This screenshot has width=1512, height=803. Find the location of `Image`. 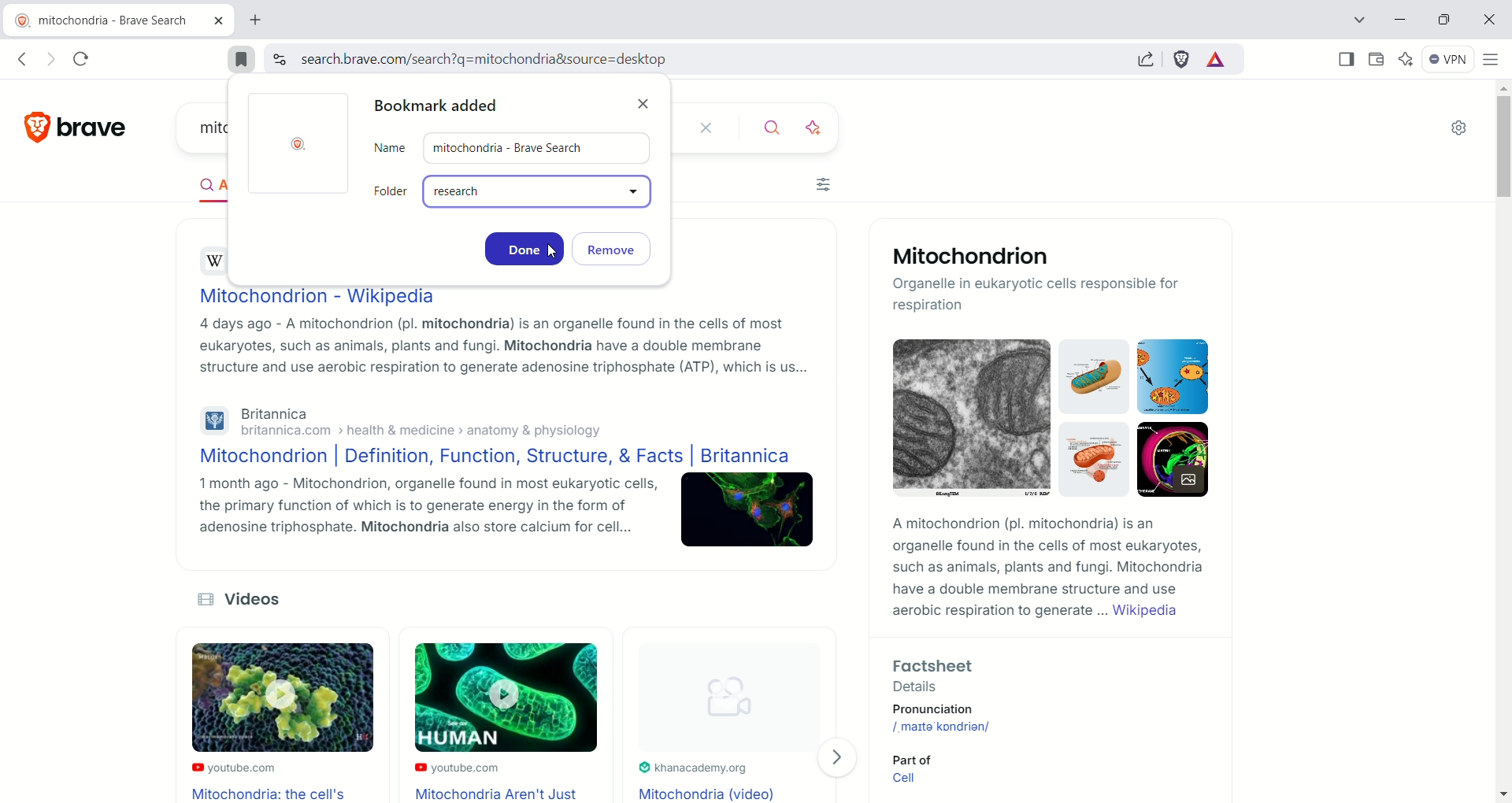

Image is located at coordinates (748, 513).